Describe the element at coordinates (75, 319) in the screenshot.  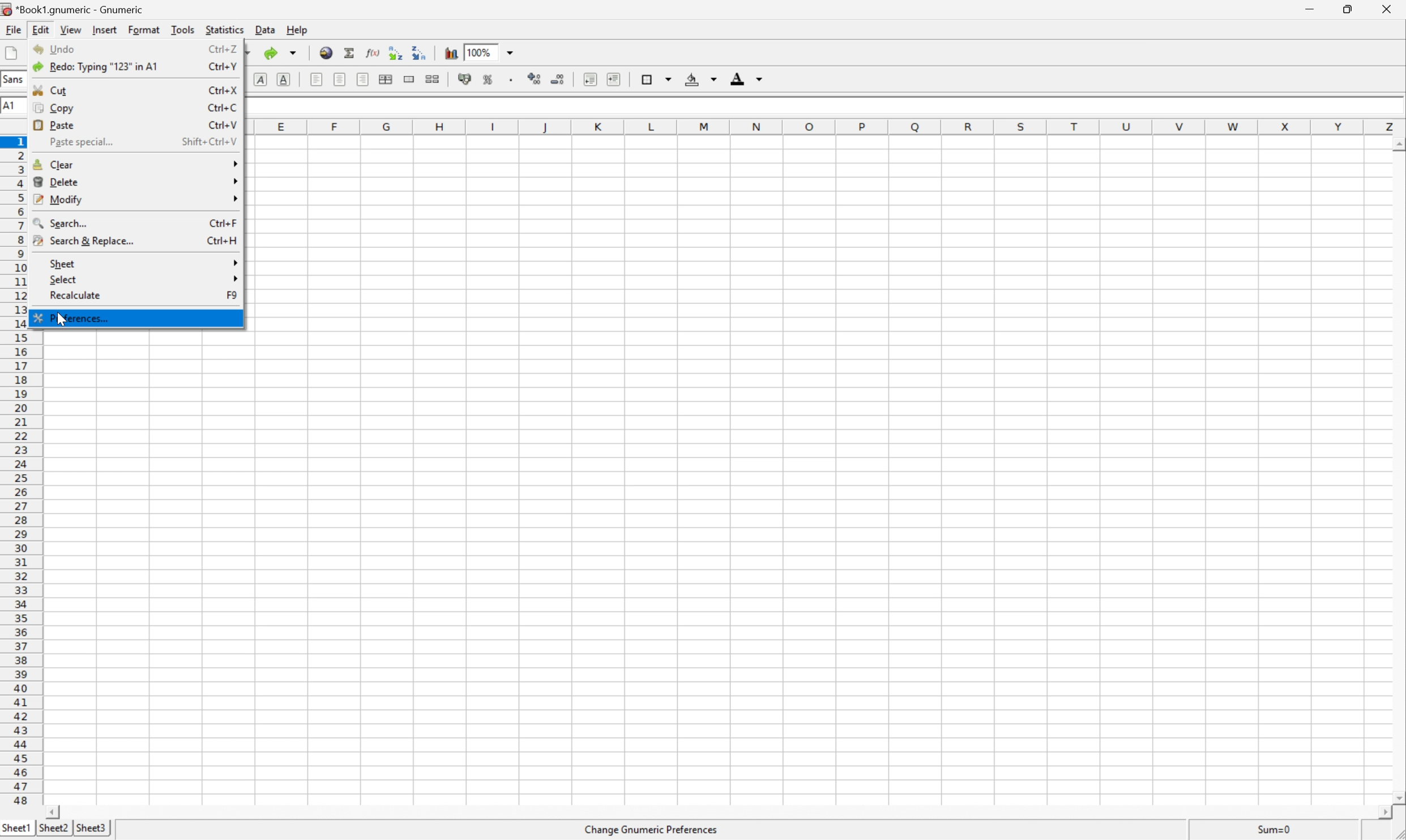
I see `Cursor on preferences` at that location.